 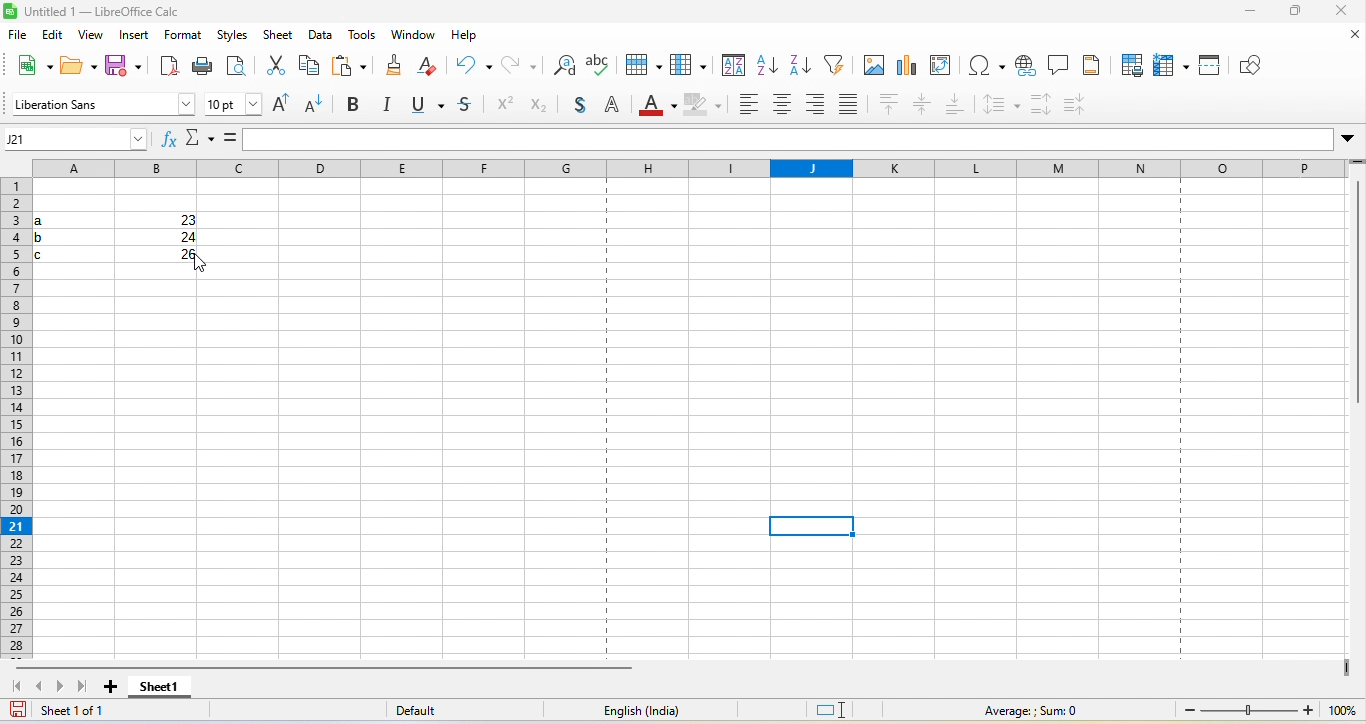 I want to click on sort, so click(x=731, y=66).